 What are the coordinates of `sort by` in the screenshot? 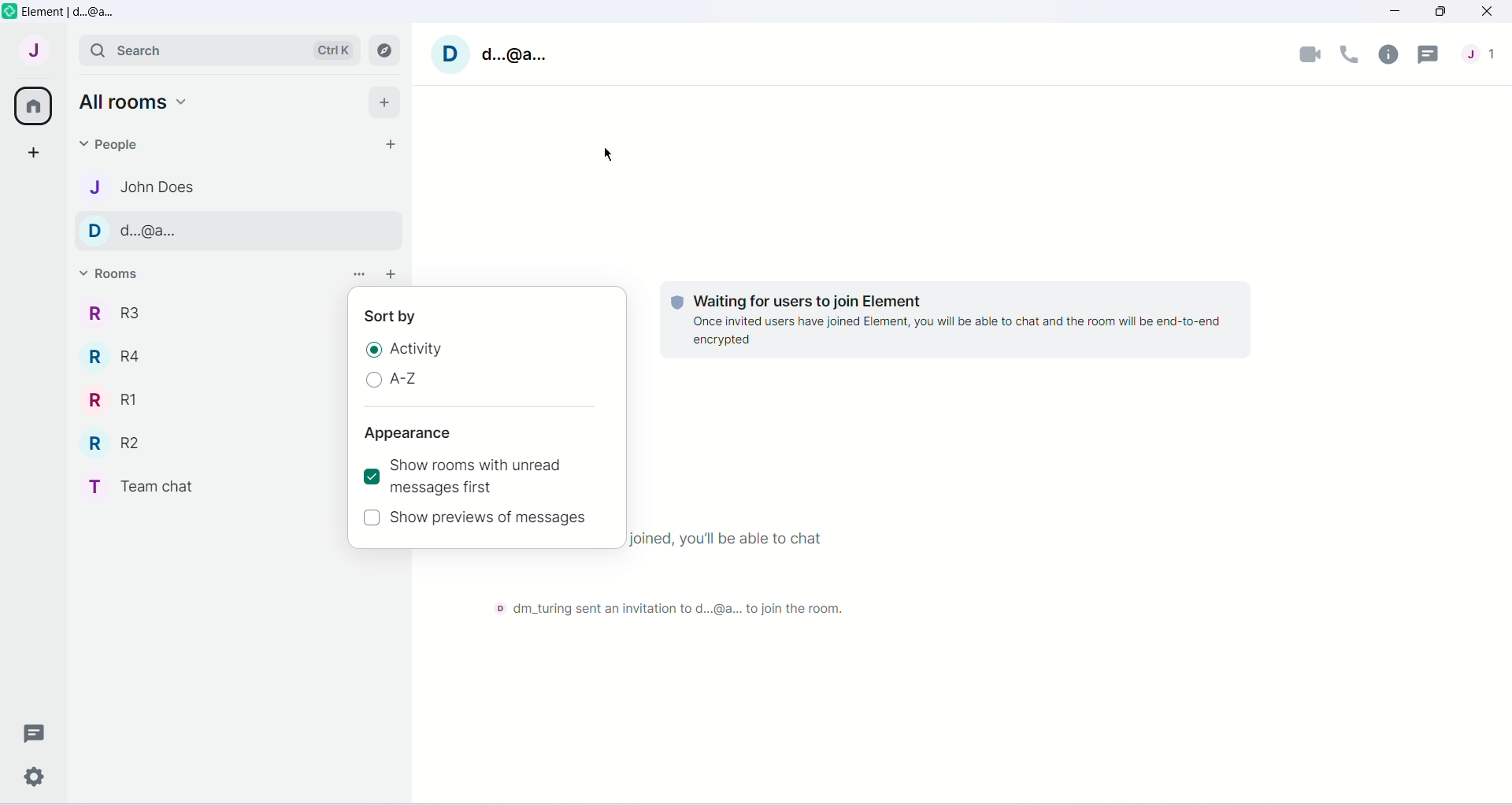 It's located at (391, 317).